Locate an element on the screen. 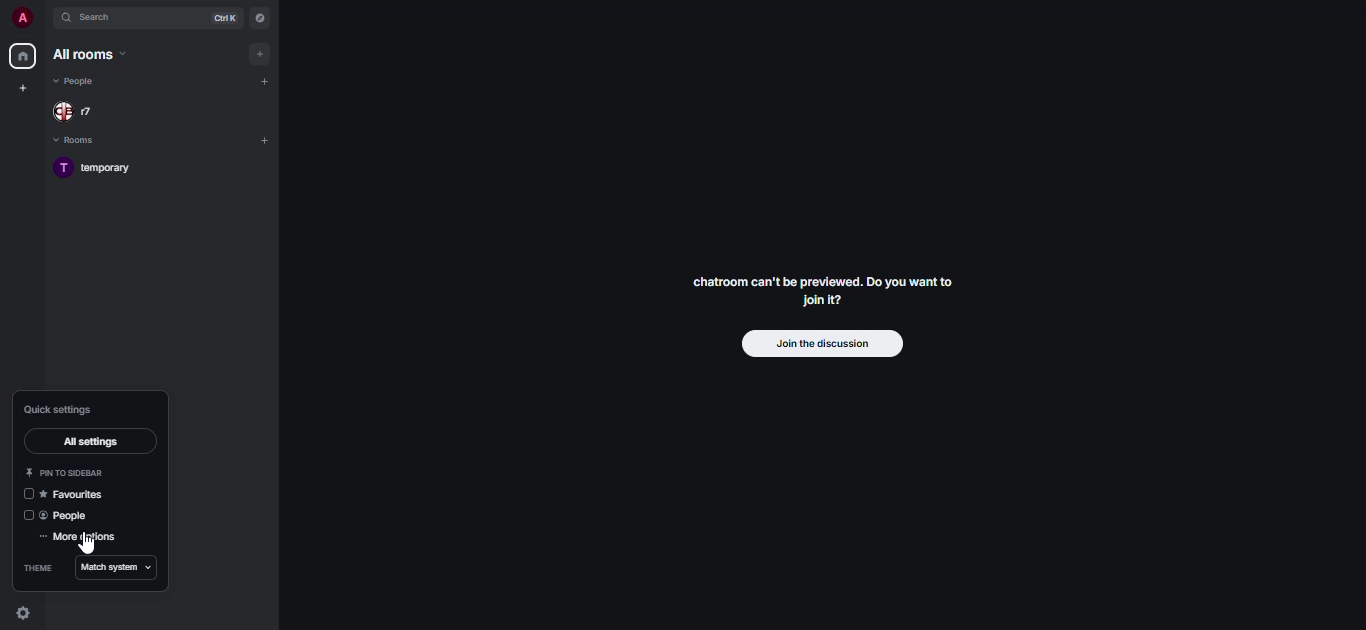  more options is located at coordinates (76, 537).